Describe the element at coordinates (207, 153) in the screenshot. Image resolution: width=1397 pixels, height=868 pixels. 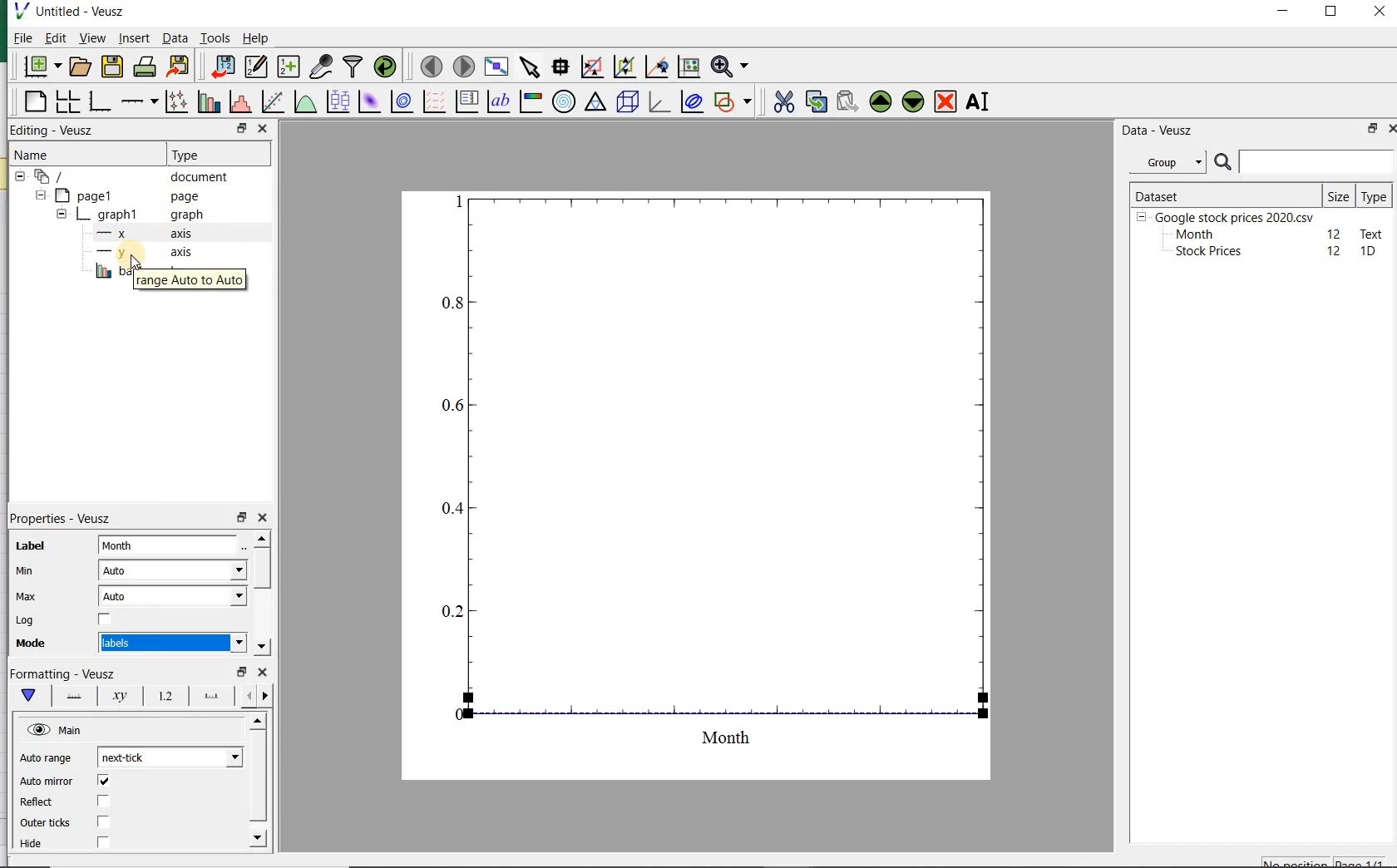
I see `Type` at that location.